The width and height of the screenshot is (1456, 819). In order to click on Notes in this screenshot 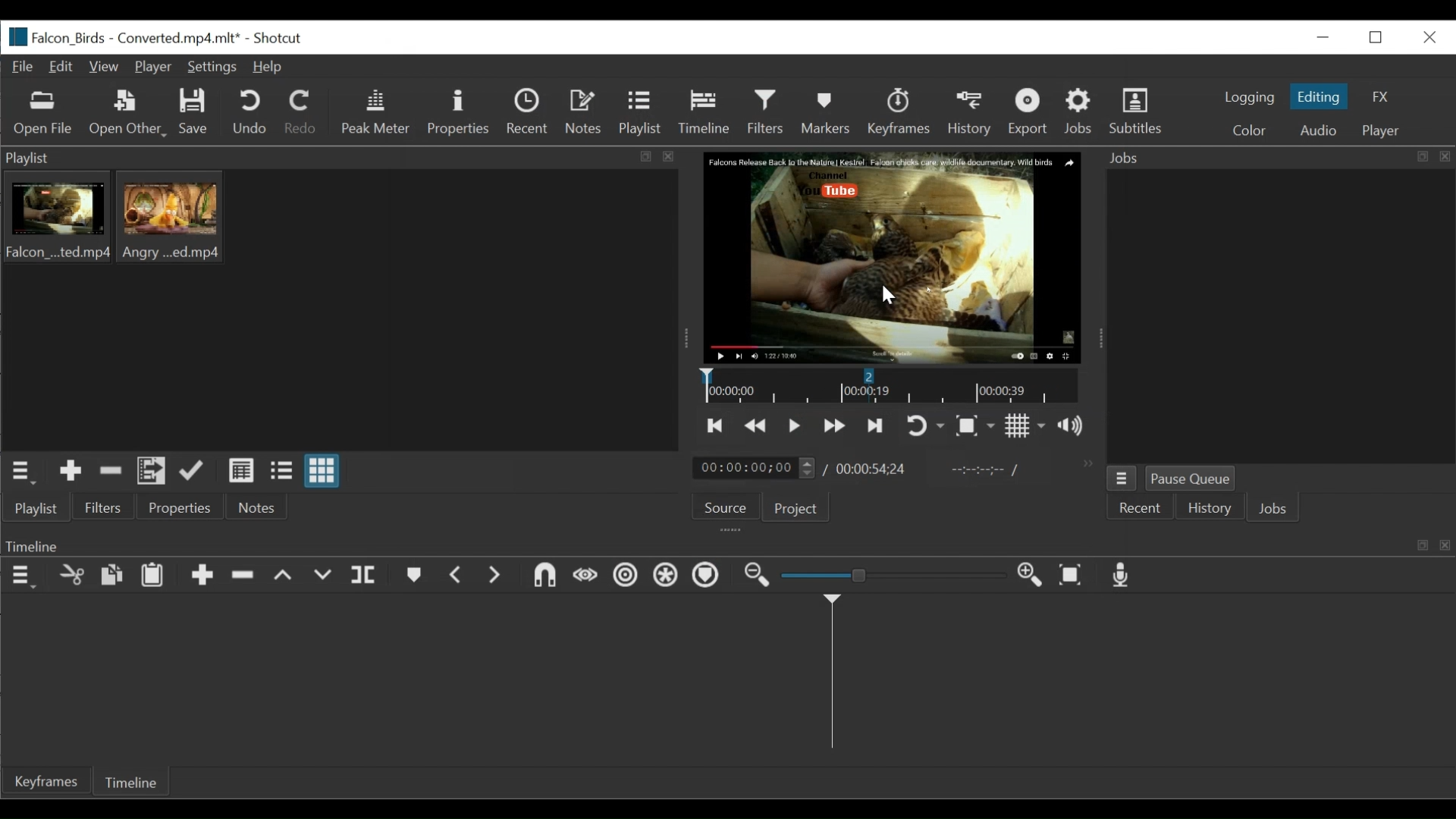, I will do `click(582, 113)`.